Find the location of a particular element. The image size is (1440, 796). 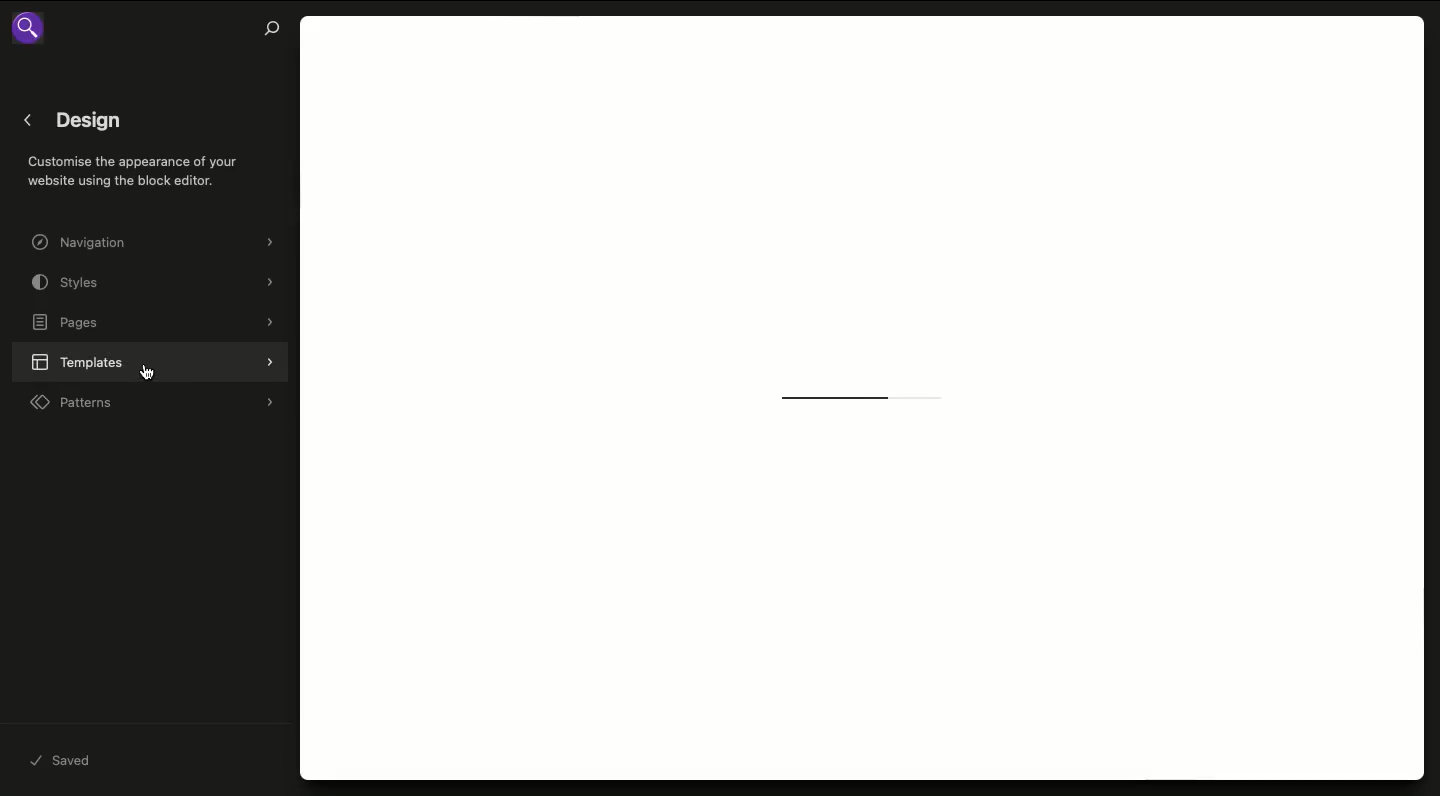

search icon is located at coordinates (32, 30).